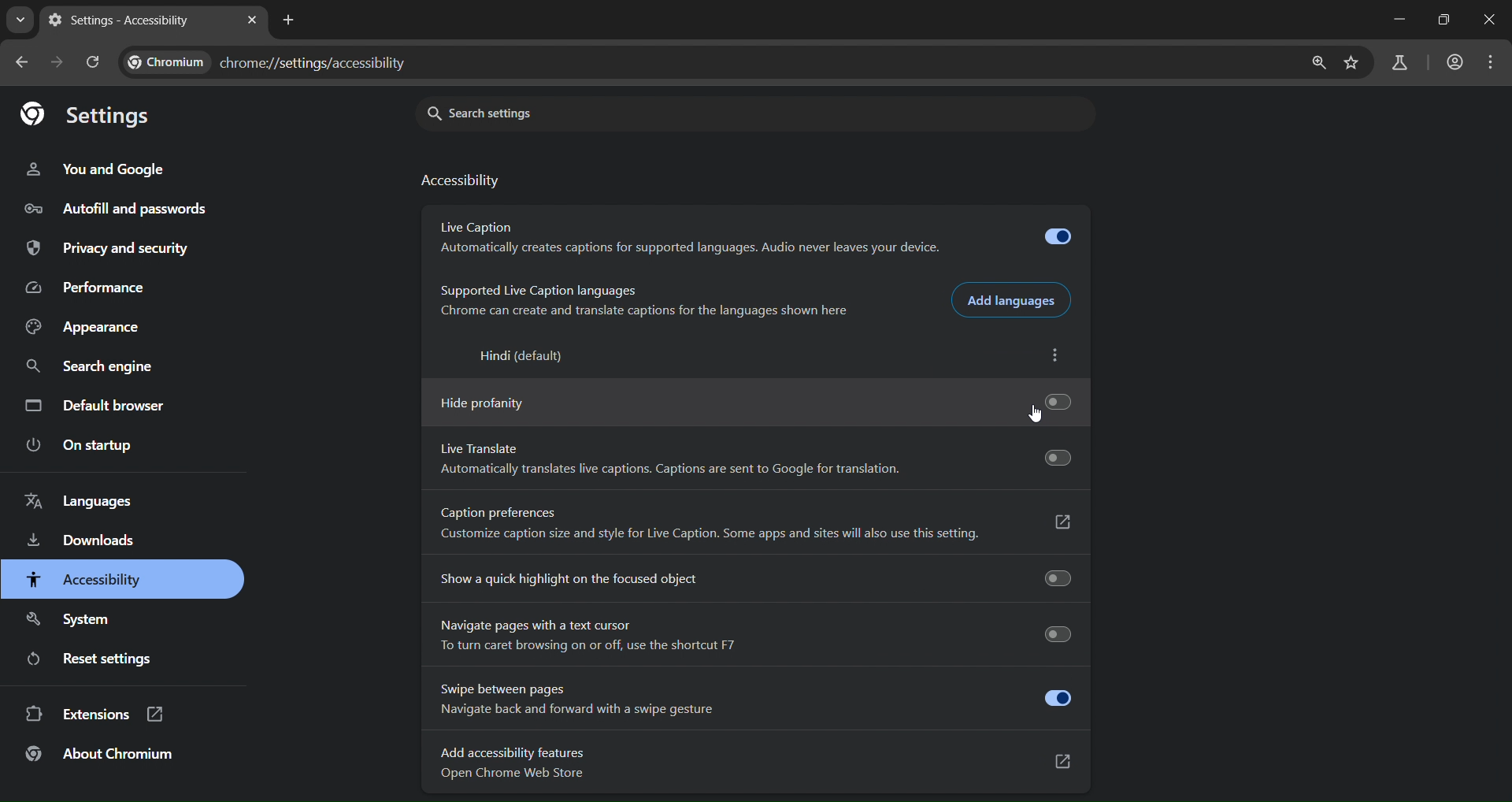 Image resolution: width=1512 pixels, height=802 pixels. What do you see at coordinates (1008, 299) in the screenshot?
I see `add languages` at bounding box center [1008, 299].